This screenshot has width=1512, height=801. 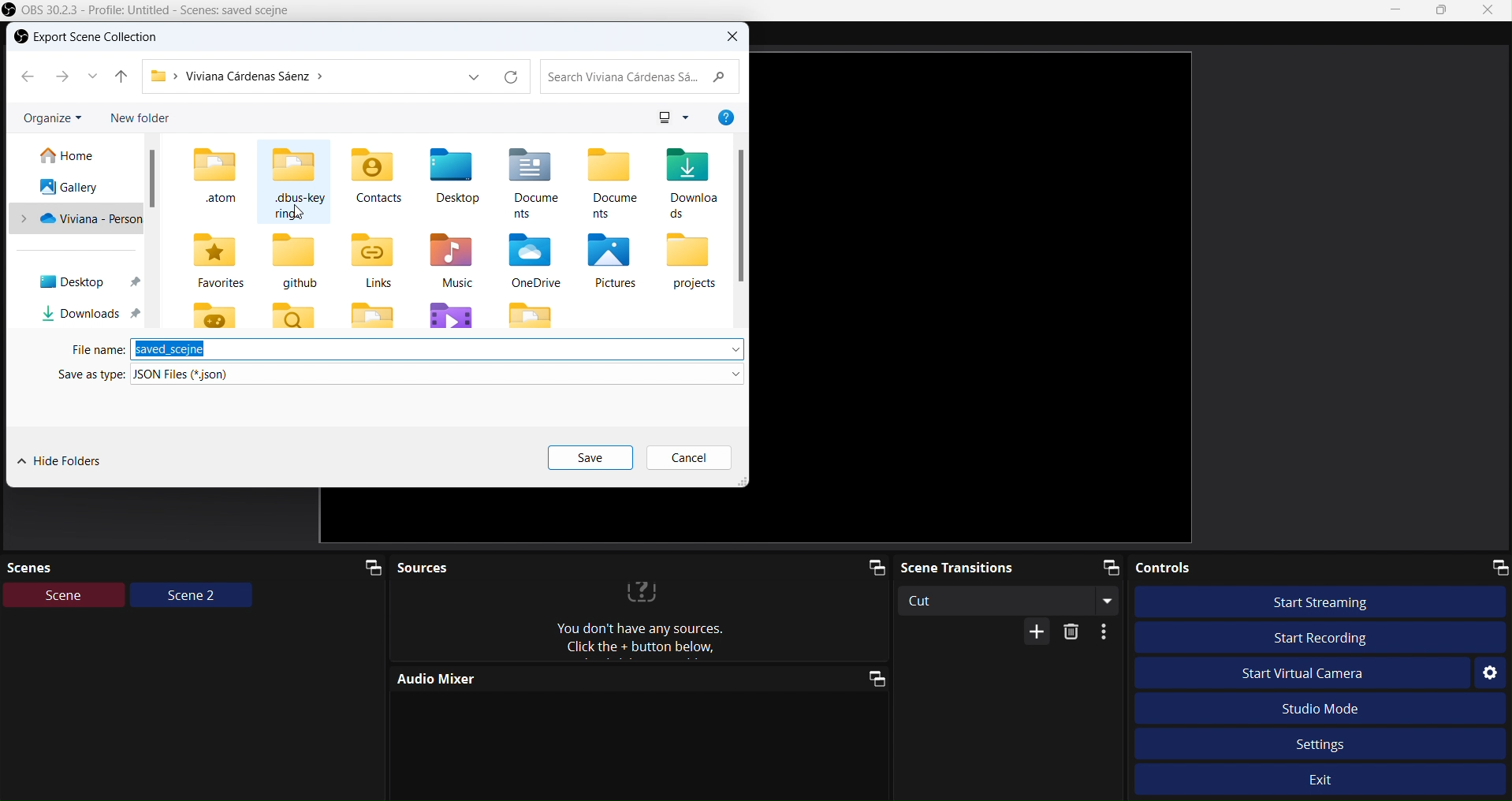 What do you see at coordinates (374, 176) in the screenshot?
I see `Contacts` at bounding box center [374, 176].